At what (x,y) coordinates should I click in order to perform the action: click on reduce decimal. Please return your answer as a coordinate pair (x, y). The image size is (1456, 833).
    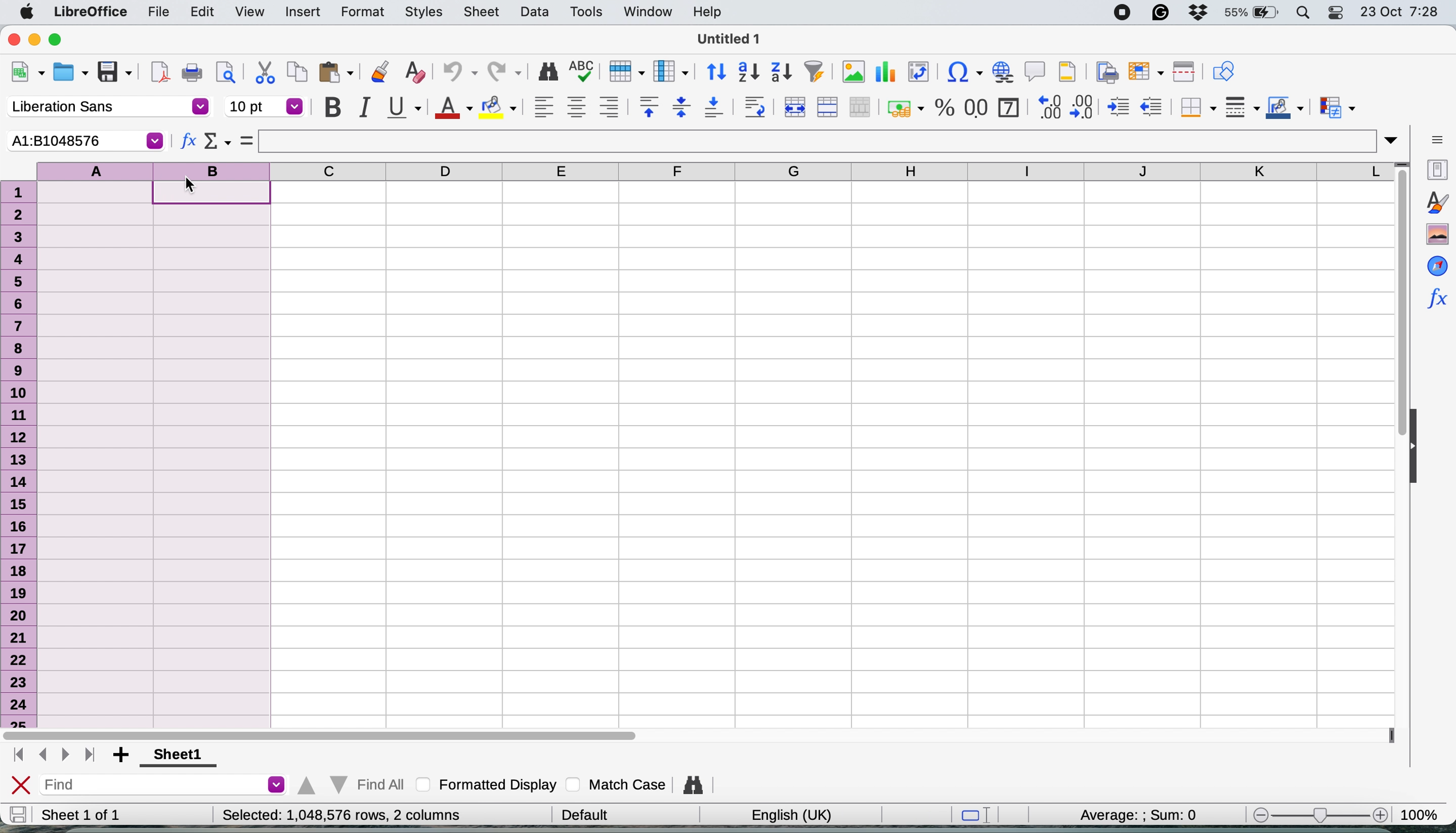
    Looking at the image, I should click on (1084, 106).